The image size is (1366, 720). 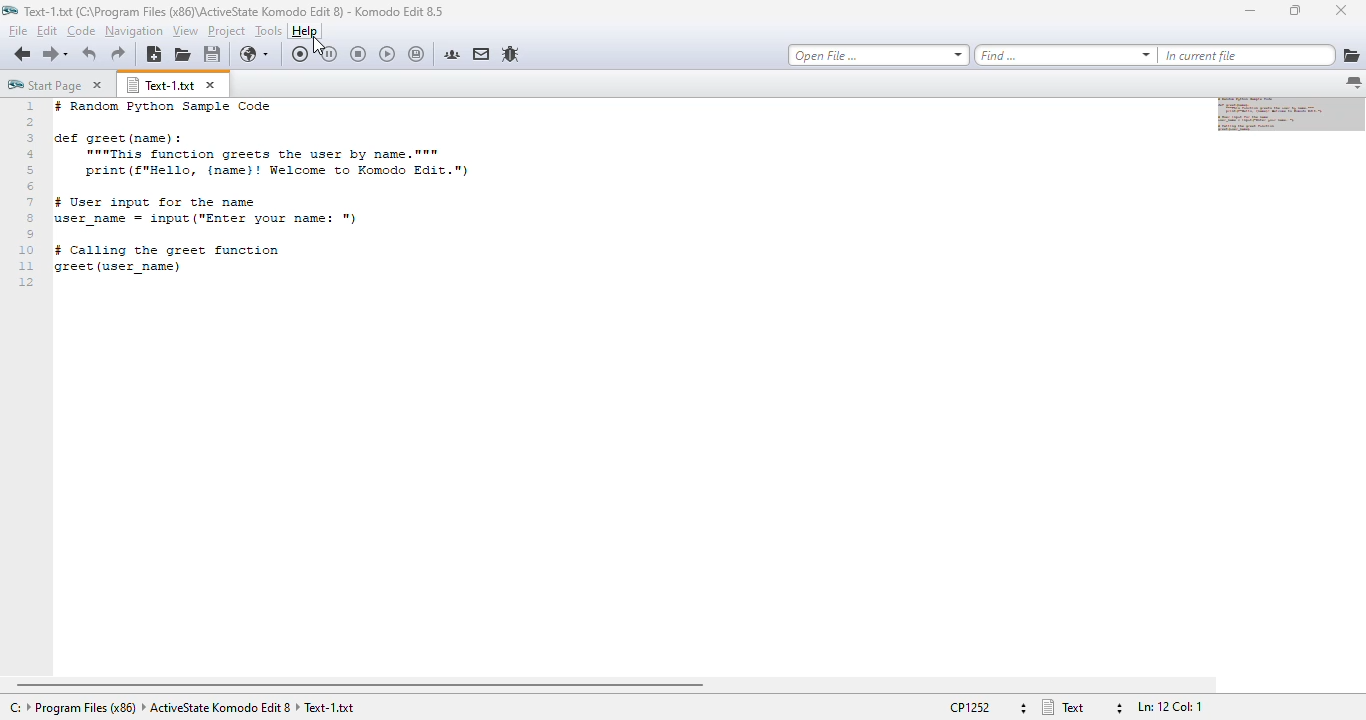 I want to click on redo last action, so click(x=118, y=54).